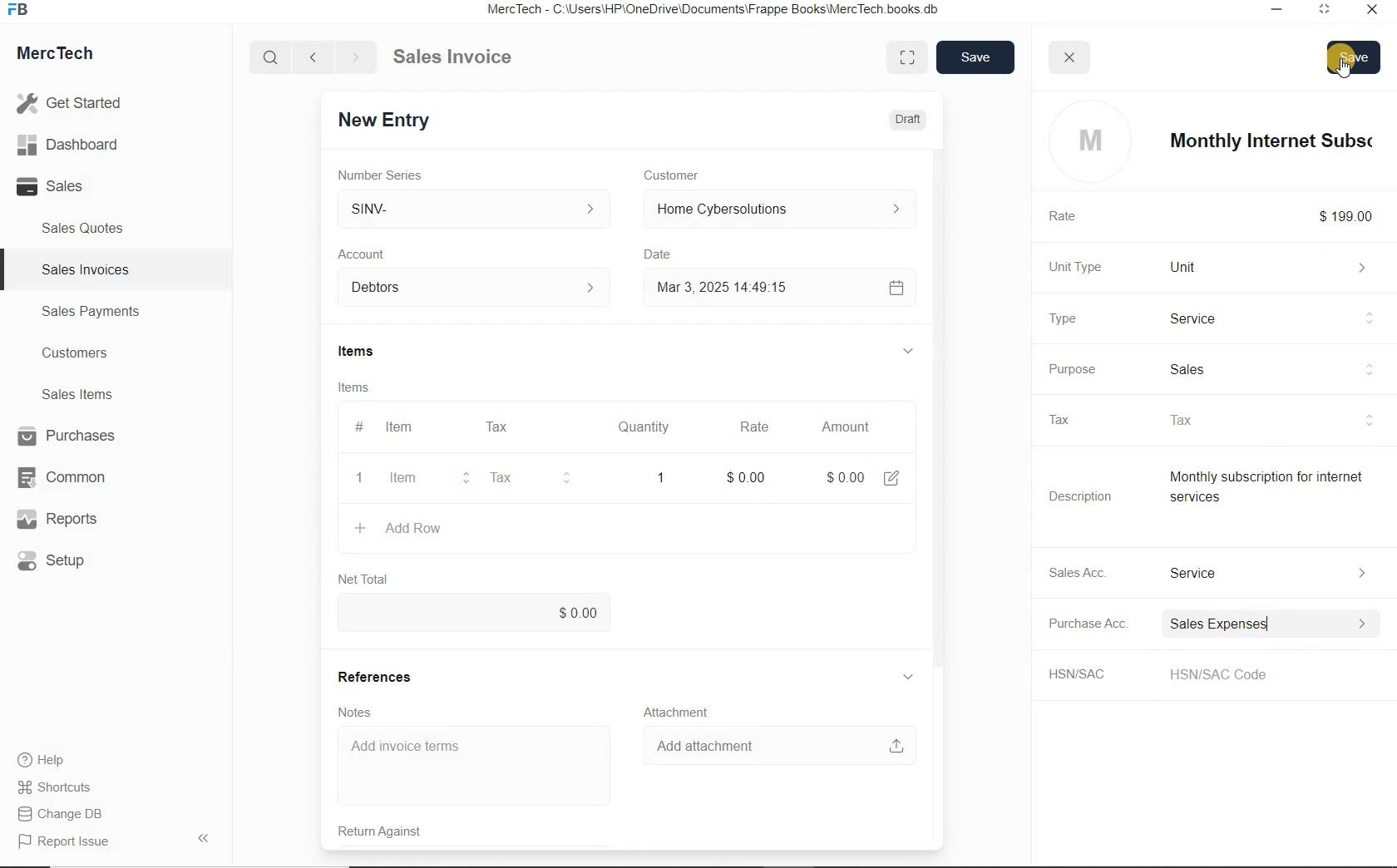  What do you see at coordinates (359, 711) in the screenshot?
I see `Notes` at bounding box center [359, 711].